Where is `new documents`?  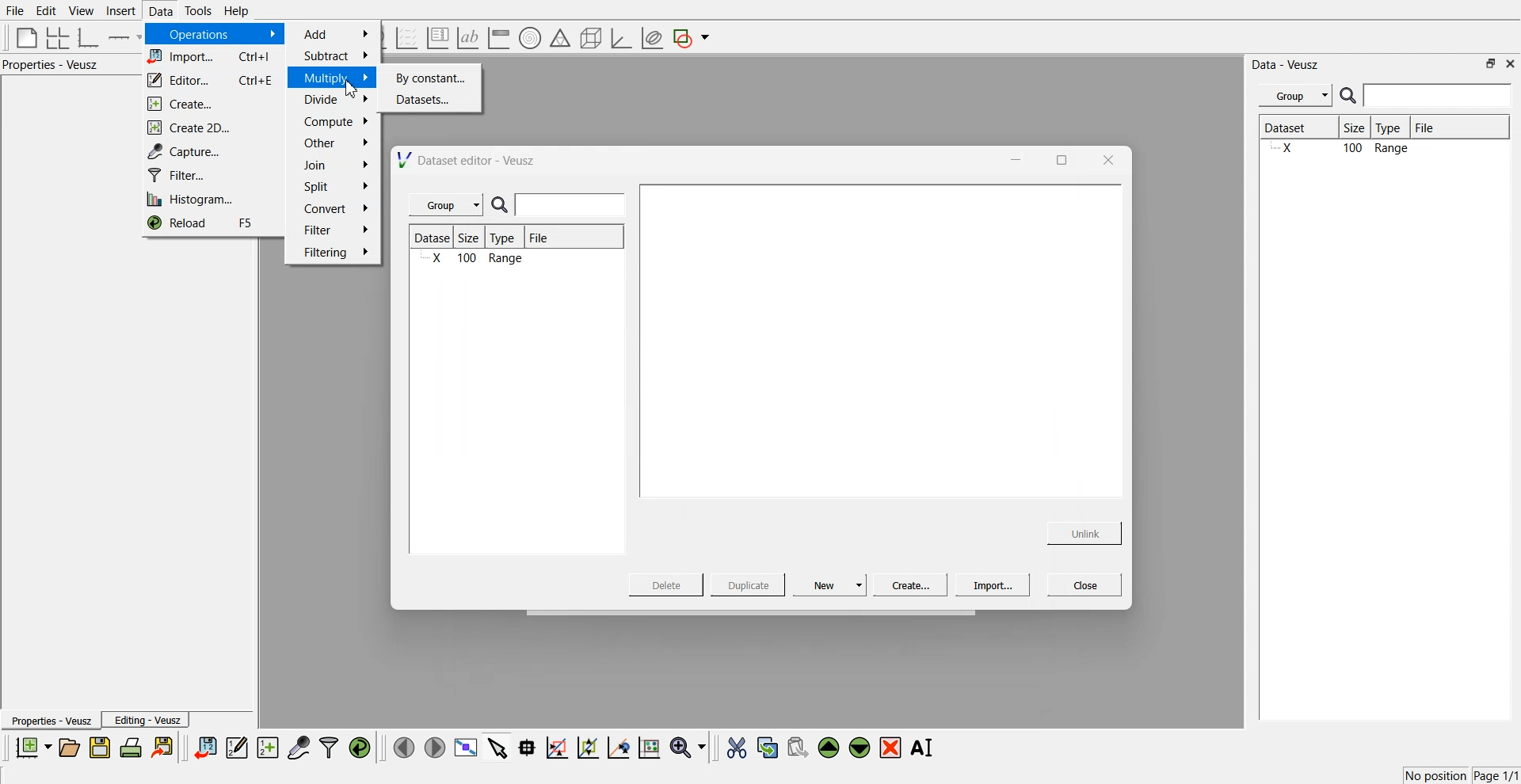
new documents is located at coordinates (32, 747).